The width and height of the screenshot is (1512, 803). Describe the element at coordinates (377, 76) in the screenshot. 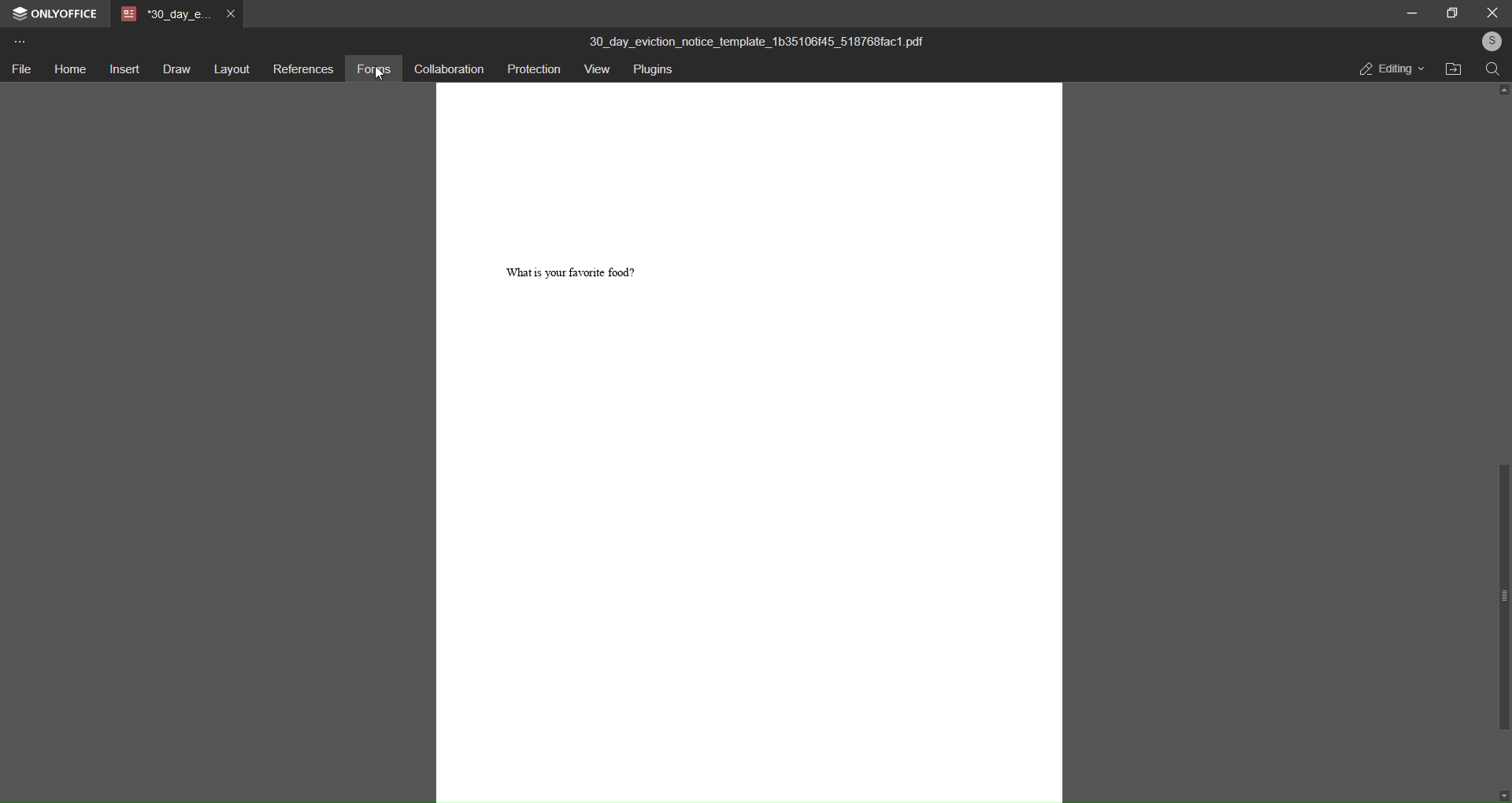

I see `cursor` at that location.